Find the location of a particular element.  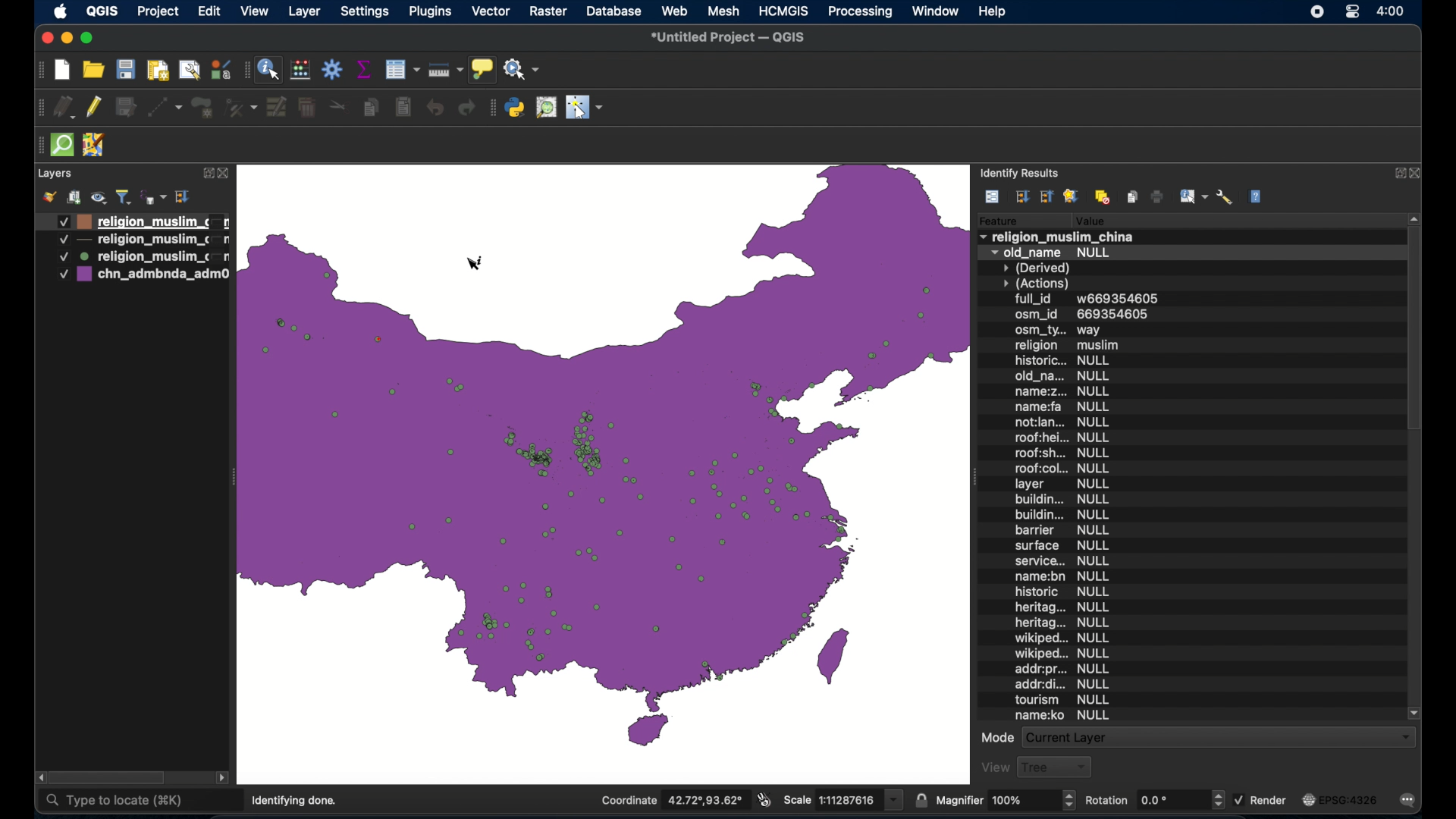

drag handle is located at coordinates (243, 71).